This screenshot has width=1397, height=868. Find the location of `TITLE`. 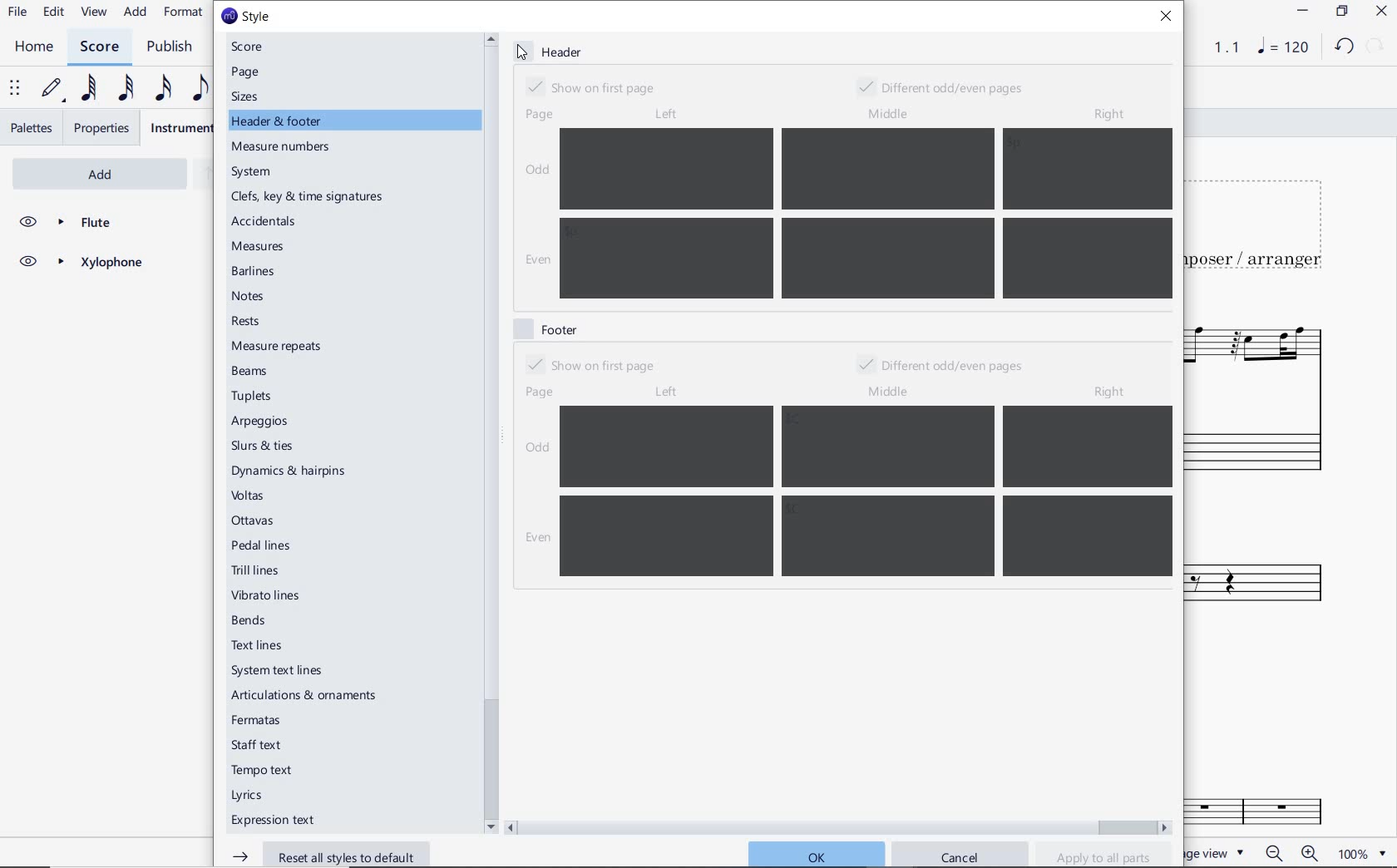

TITLE is located at coordinates (1260, 225).